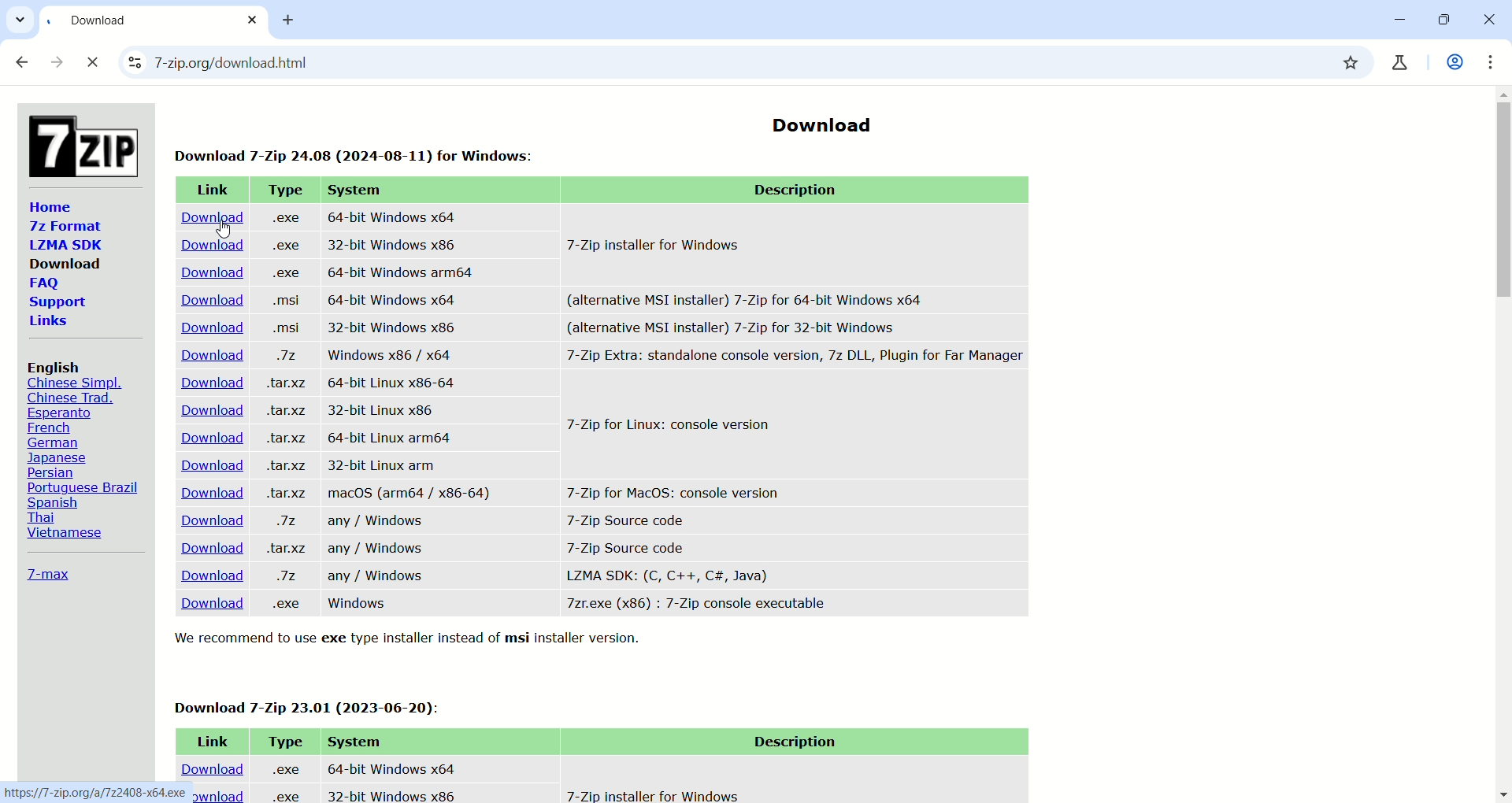 The image size is (1512, 803). What do you see at coordinates (209, 738) in the screenshot?
I see `Link` at bounding box center [209, 738].